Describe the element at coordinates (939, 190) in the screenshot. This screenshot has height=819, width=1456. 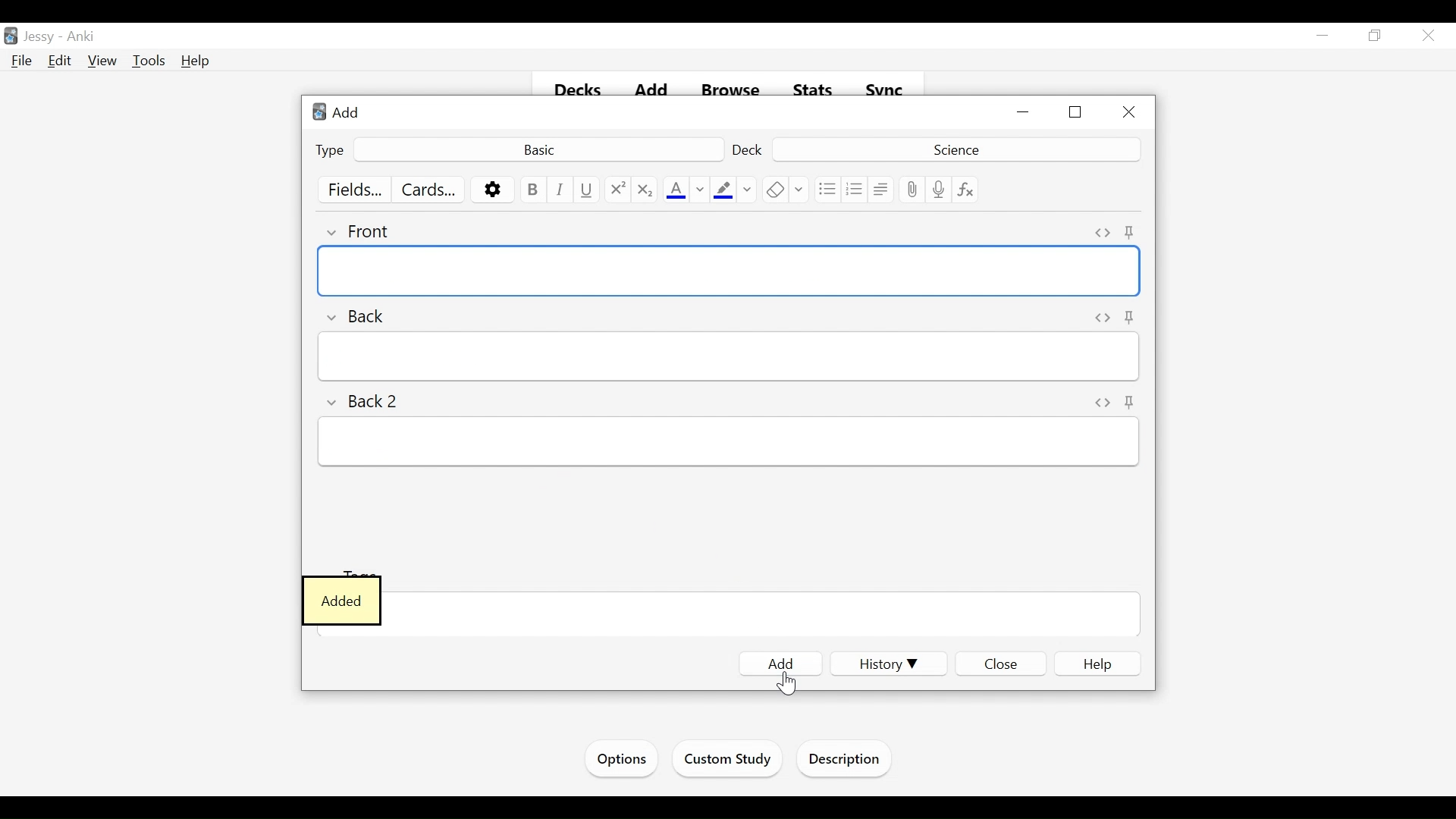
I see `Record Audio` at that location.